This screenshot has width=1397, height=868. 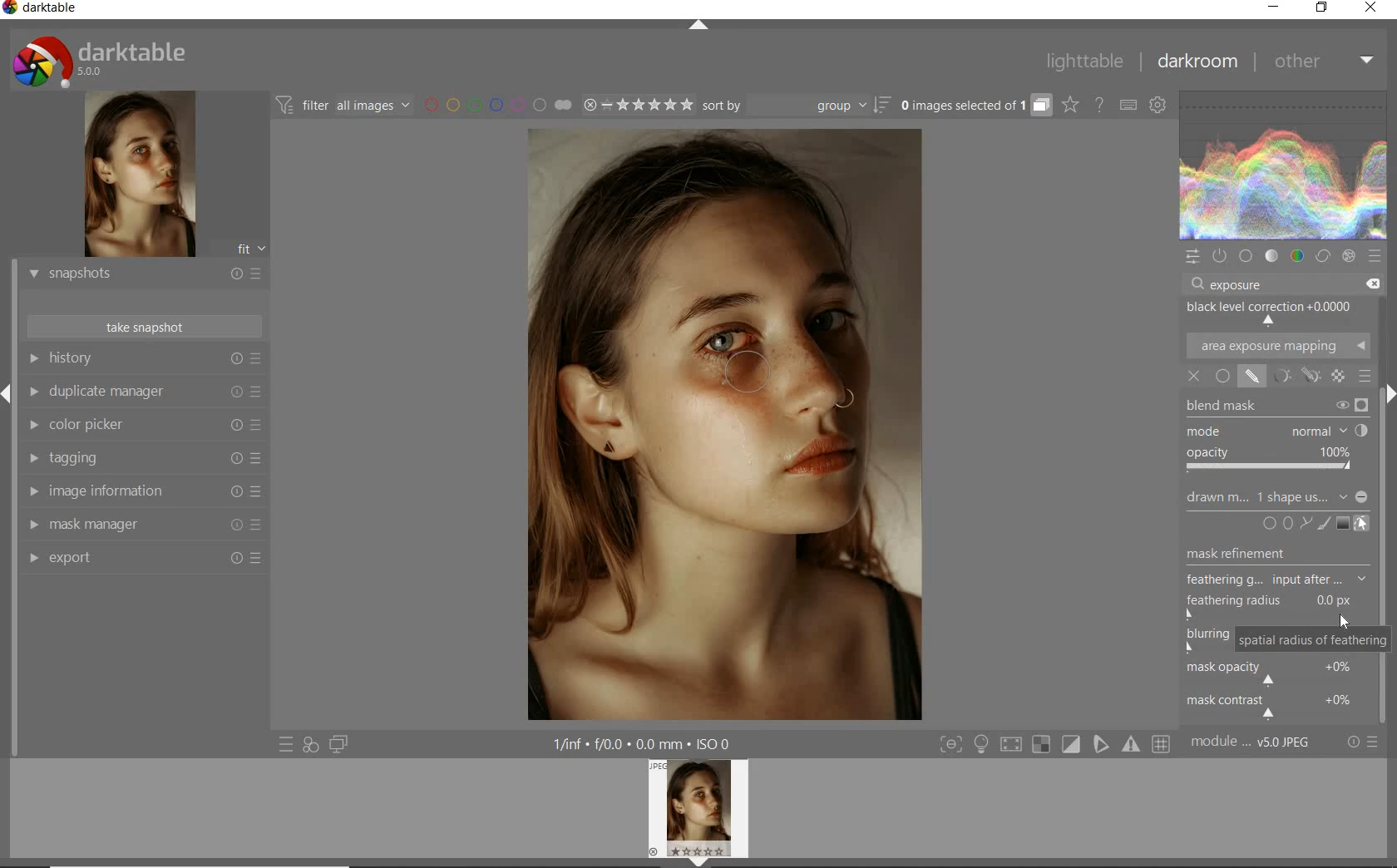 What do you see at coordinates (498, 106) in the screenshot?
I see `filter by image color` at bounding box center [498, 106].